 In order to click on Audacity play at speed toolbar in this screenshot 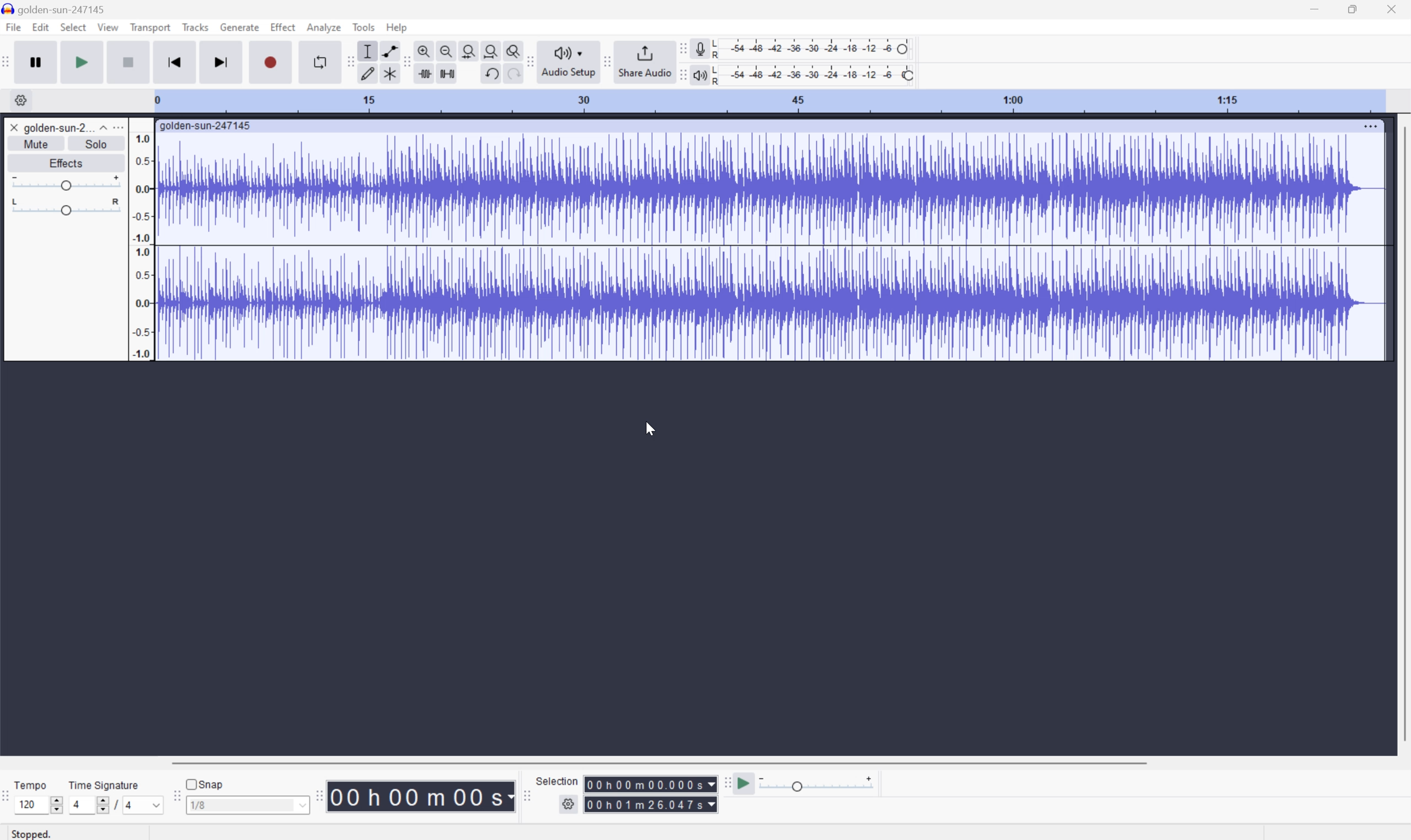, I will do `click(726, 784)`.